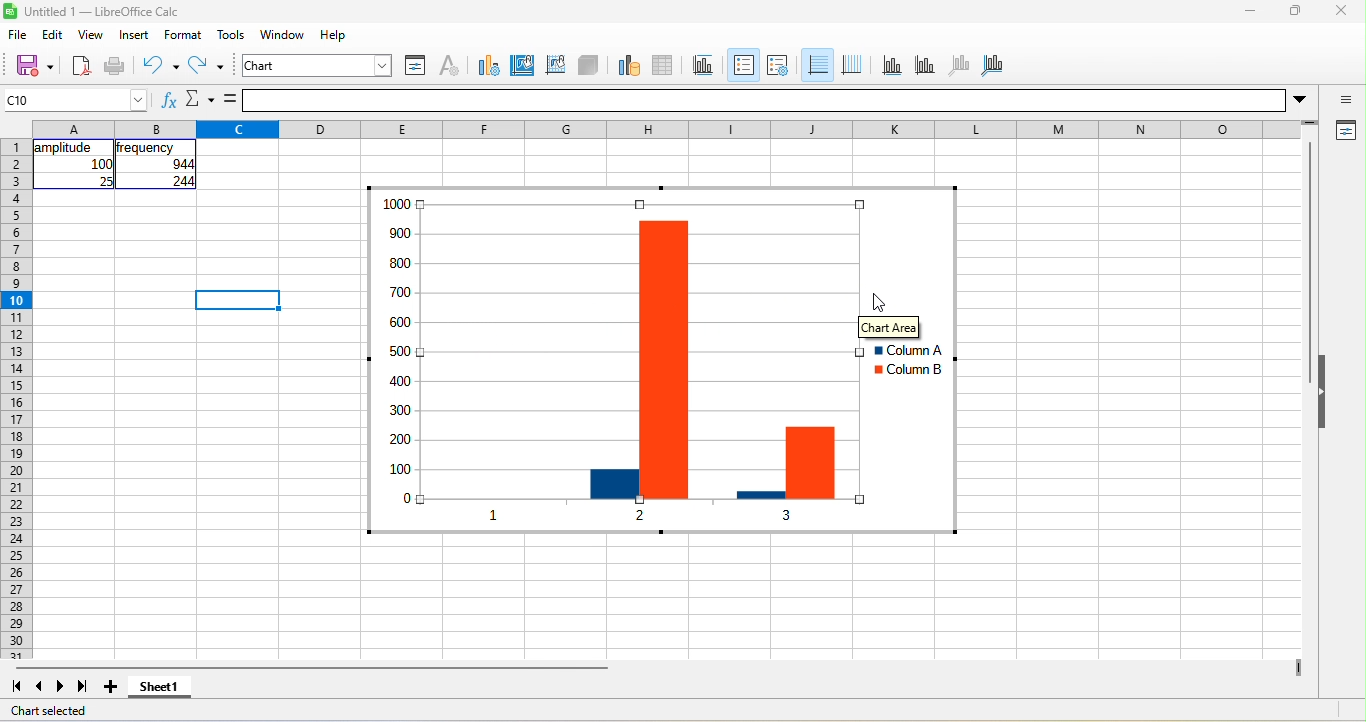  Describe the element at coordinates (852, 65) in the screenshot. I see `vertical grids` at that location.